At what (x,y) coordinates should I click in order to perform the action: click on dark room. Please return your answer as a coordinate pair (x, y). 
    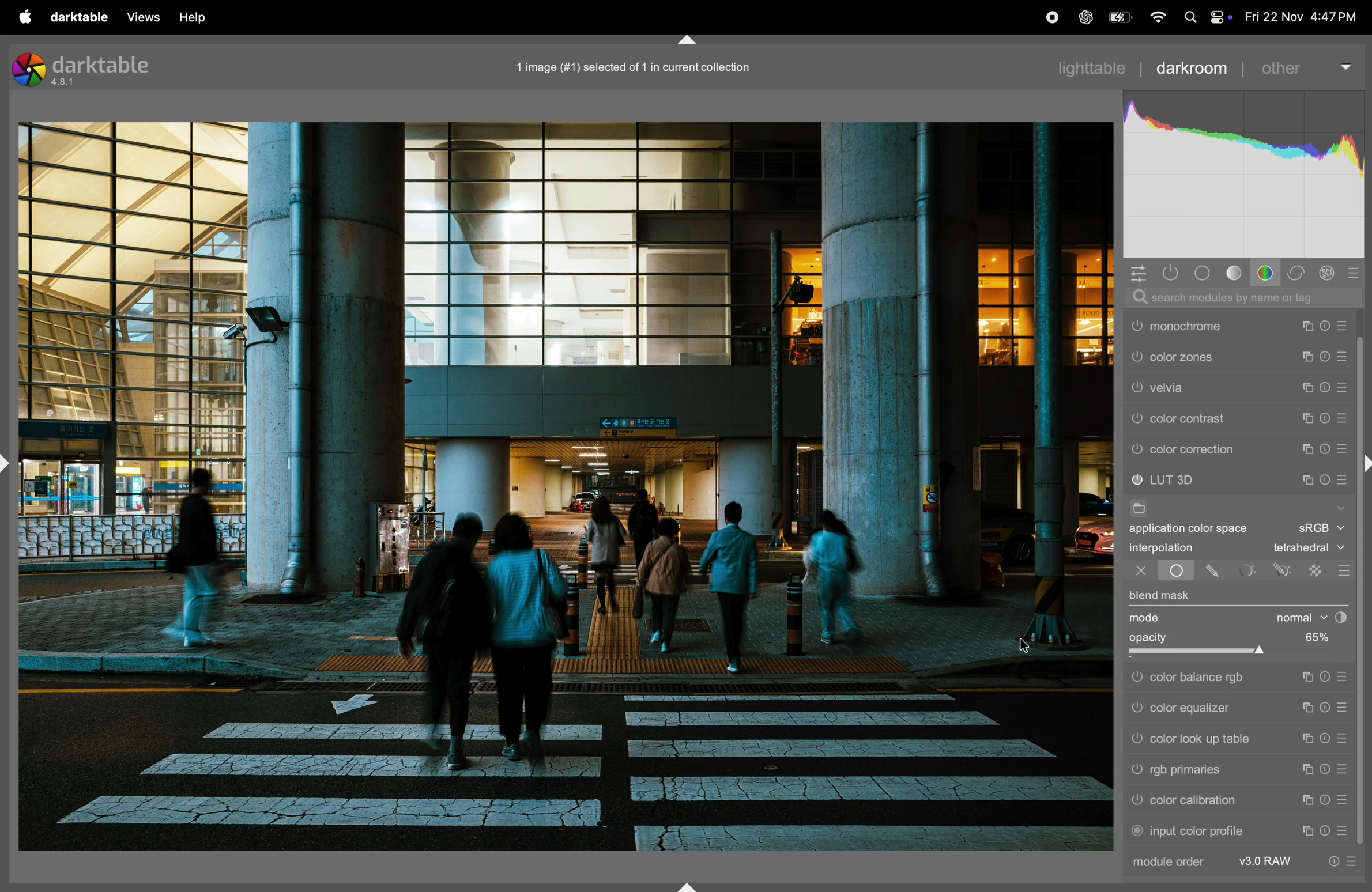
    Looking at the image, I should click on (1195, 67).